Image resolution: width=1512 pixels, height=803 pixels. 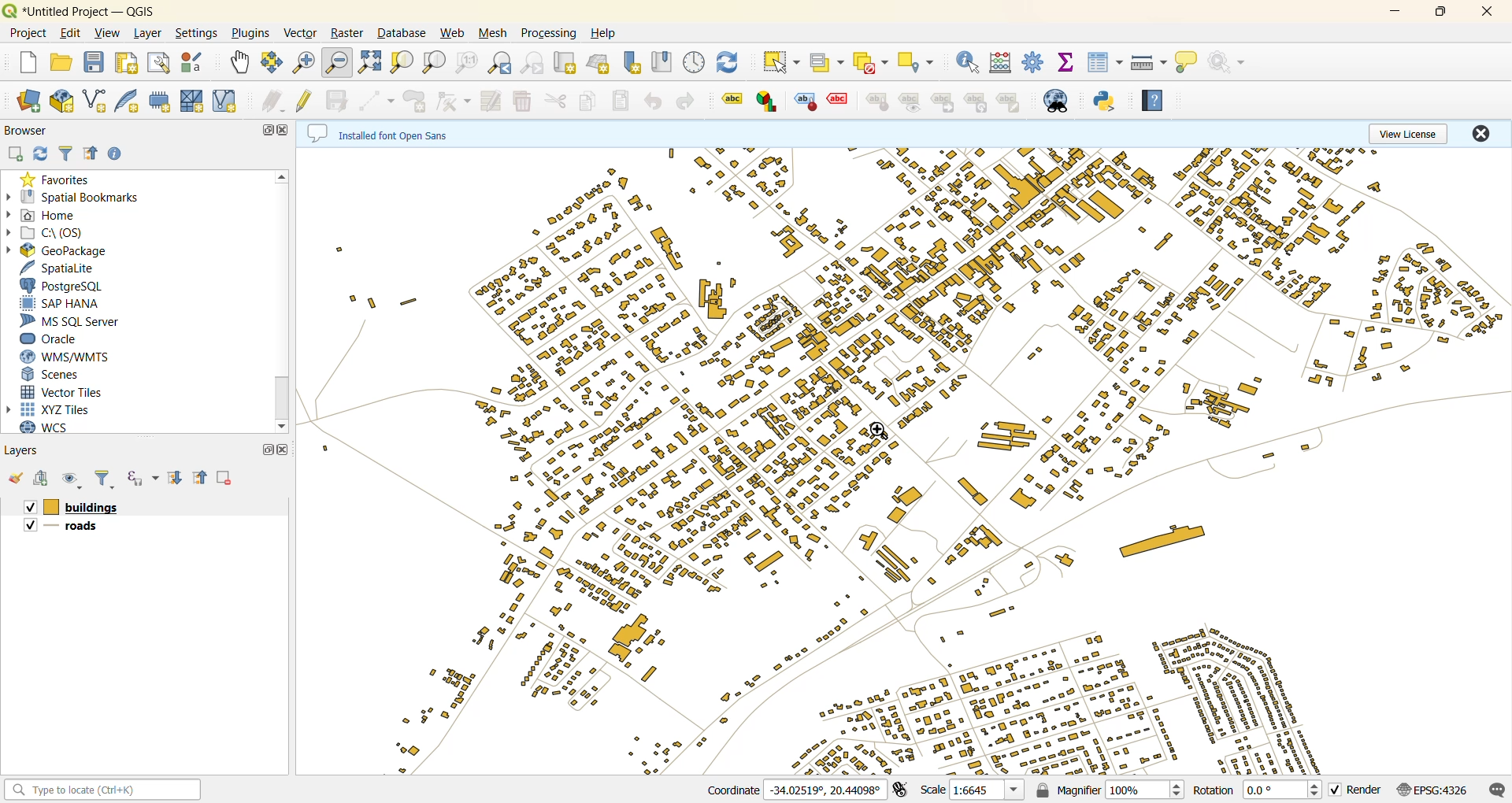 I want to click on home, so click(x=54, y=216).